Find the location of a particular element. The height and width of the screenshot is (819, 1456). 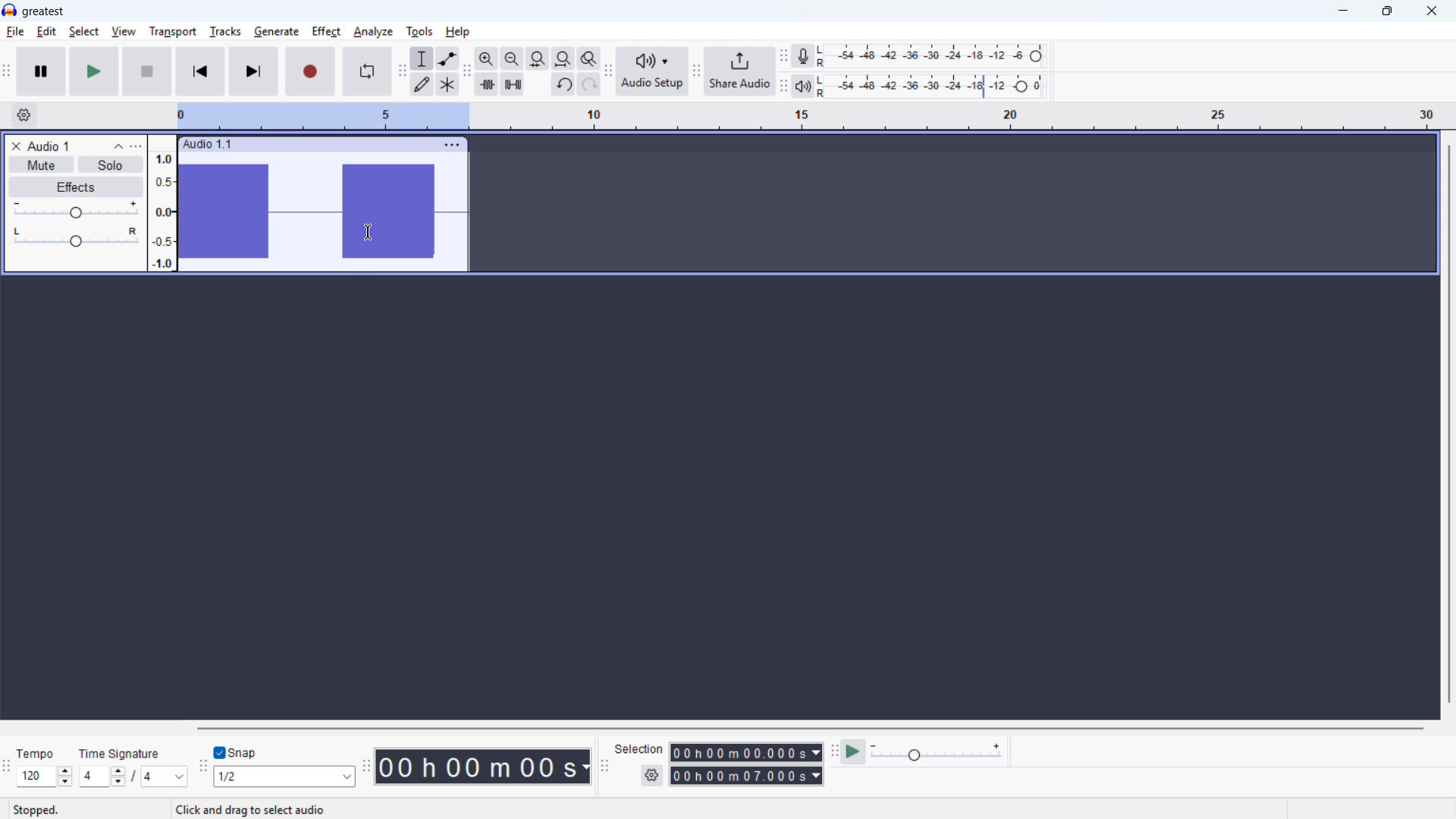

Multi tool  is located at coordinates (447, 85).